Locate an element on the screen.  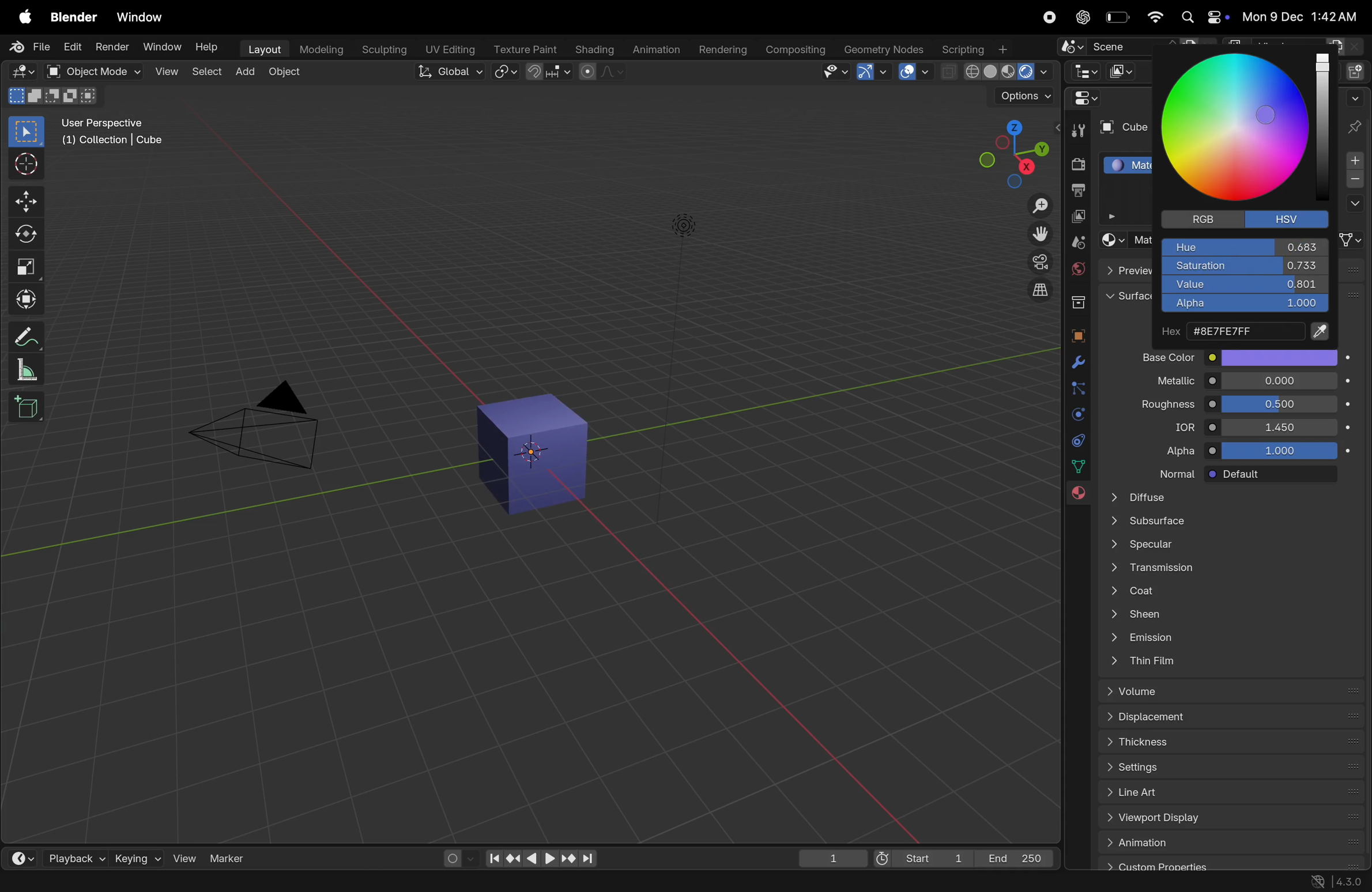
view is located at coordinates (166, 73).